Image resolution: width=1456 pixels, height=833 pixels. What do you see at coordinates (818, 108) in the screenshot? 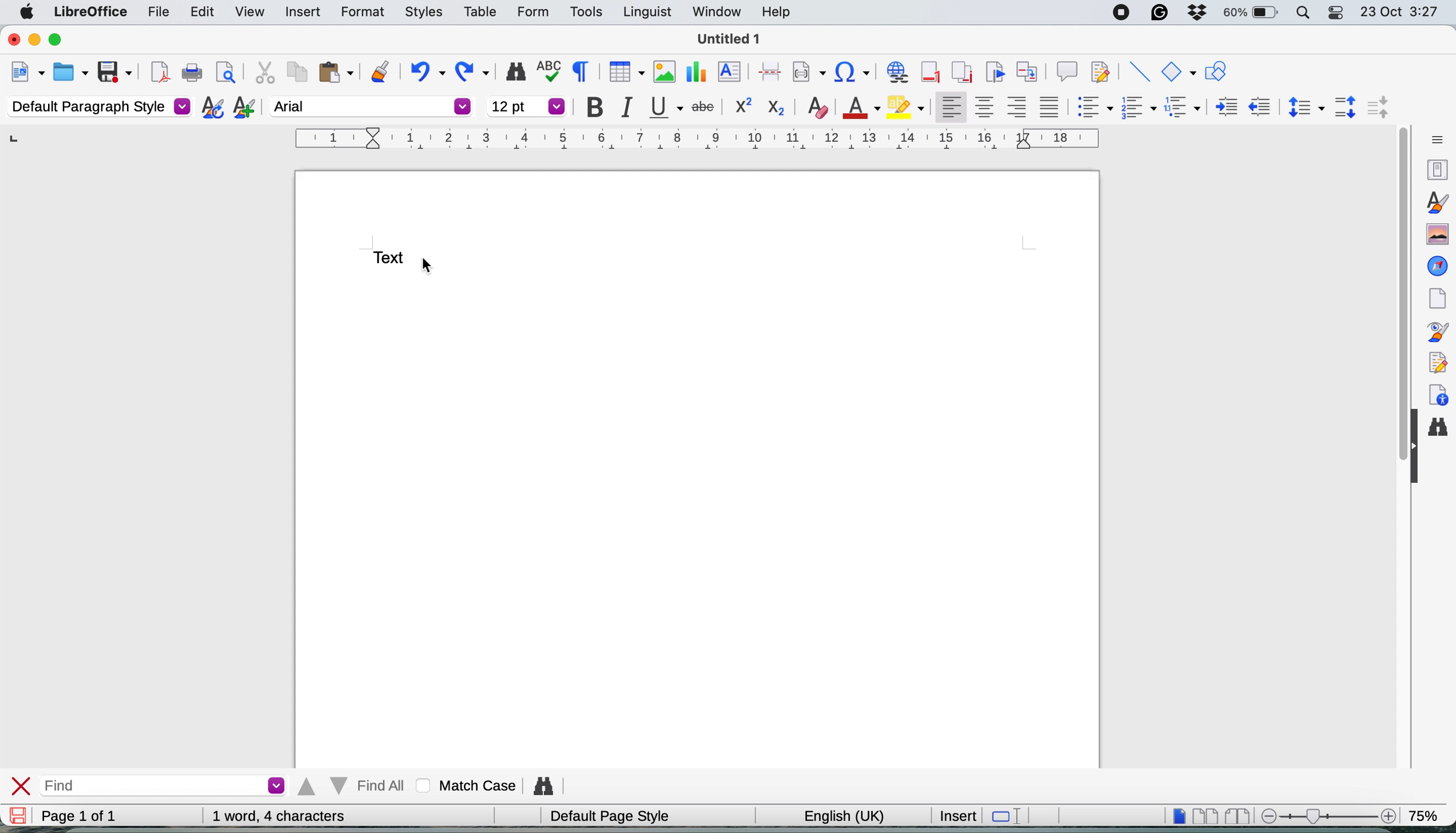
I see `clear direct formatting` at bounding box center [818, 108].